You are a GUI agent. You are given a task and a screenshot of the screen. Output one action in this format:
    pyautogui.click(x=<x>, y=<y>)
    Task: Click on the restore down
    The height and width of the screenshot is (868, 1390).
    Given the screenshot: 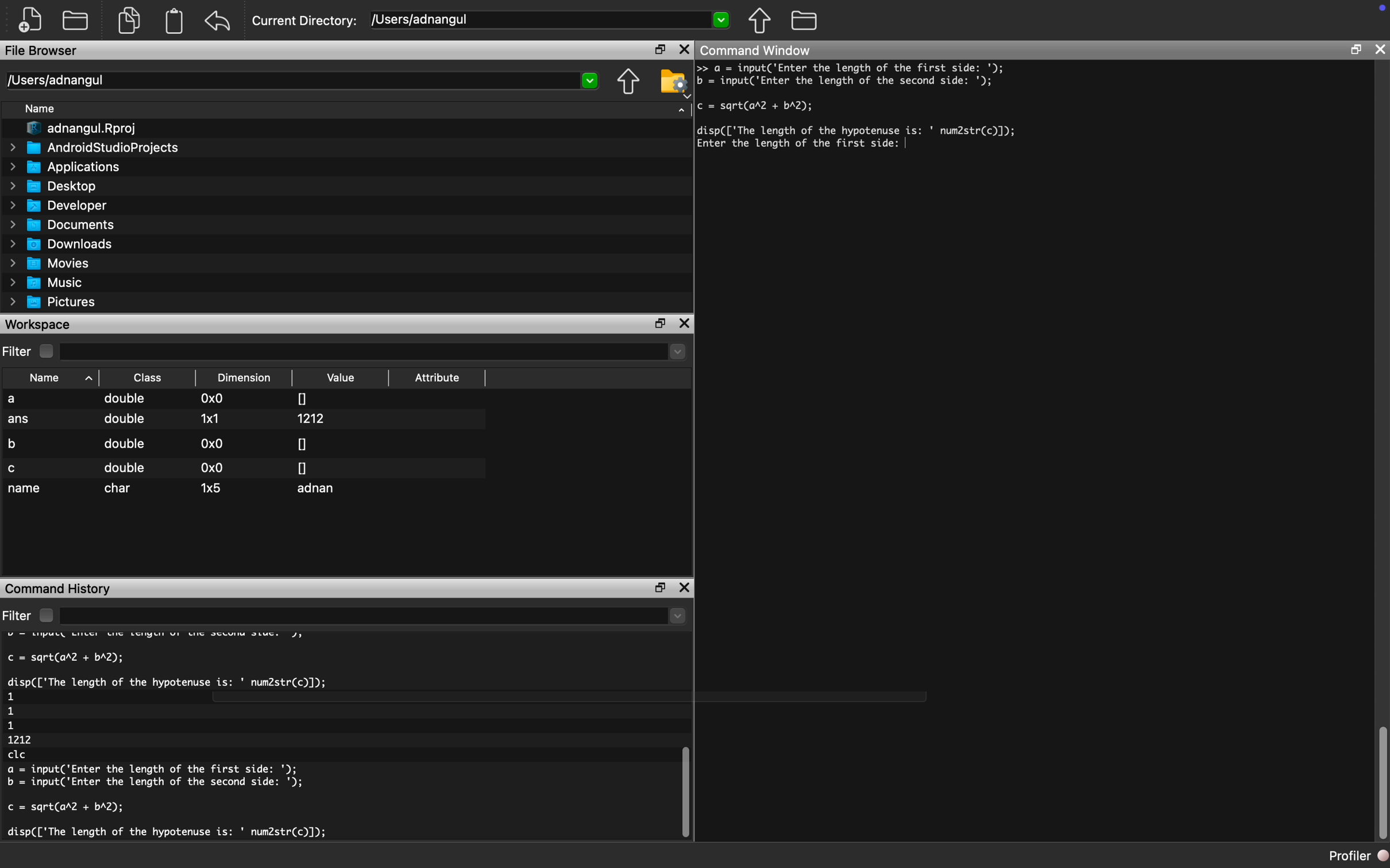 What is the action you would take?
    pyautogui.click(x=657, y=587)
    